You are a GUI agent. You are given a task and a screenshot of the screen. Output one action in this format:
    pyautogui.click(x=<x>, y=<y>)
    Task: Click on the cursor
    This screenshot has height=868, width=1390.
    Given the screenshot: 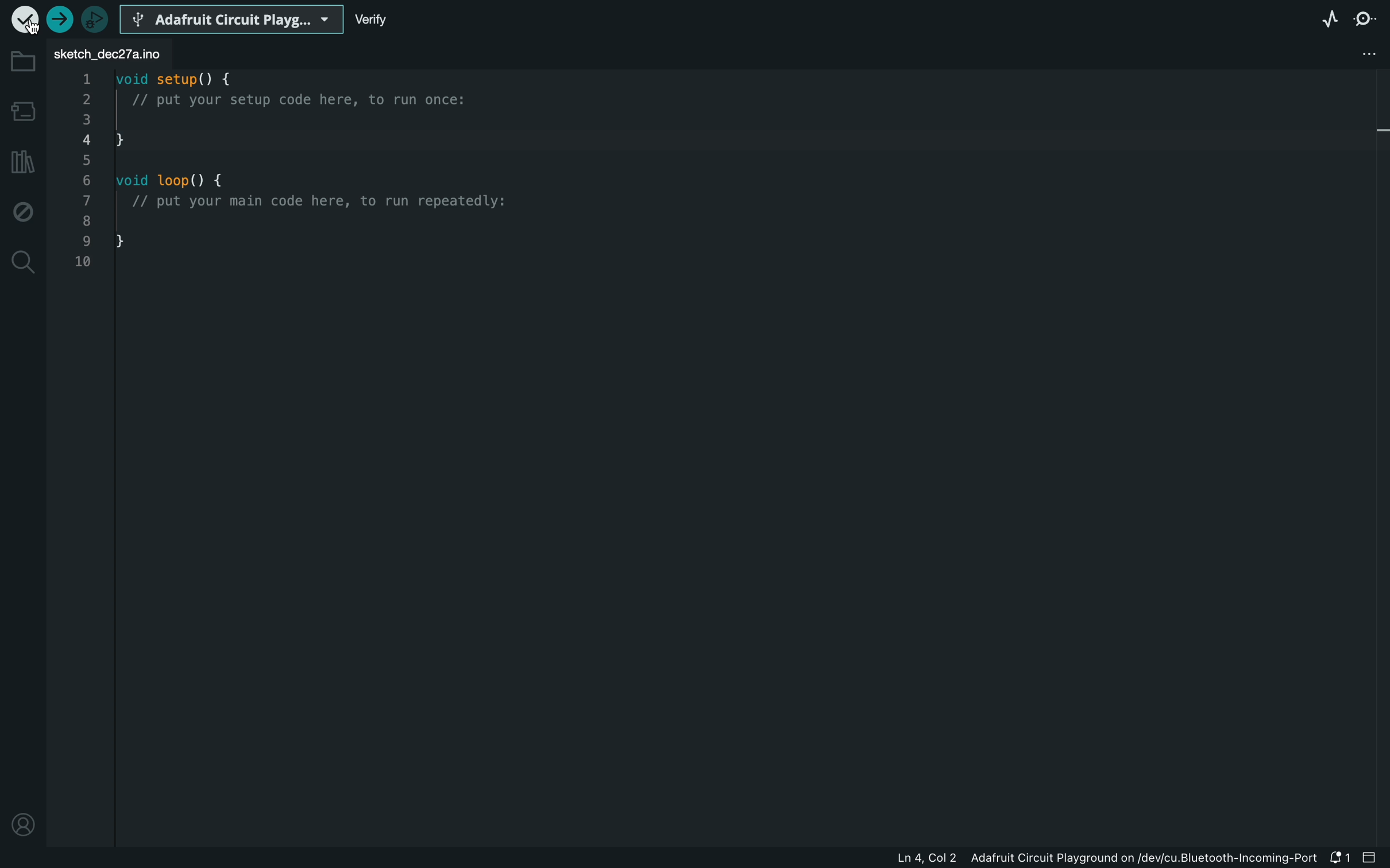 What is the action you would take?
    pyautogui.click(x=26, y=23)
    